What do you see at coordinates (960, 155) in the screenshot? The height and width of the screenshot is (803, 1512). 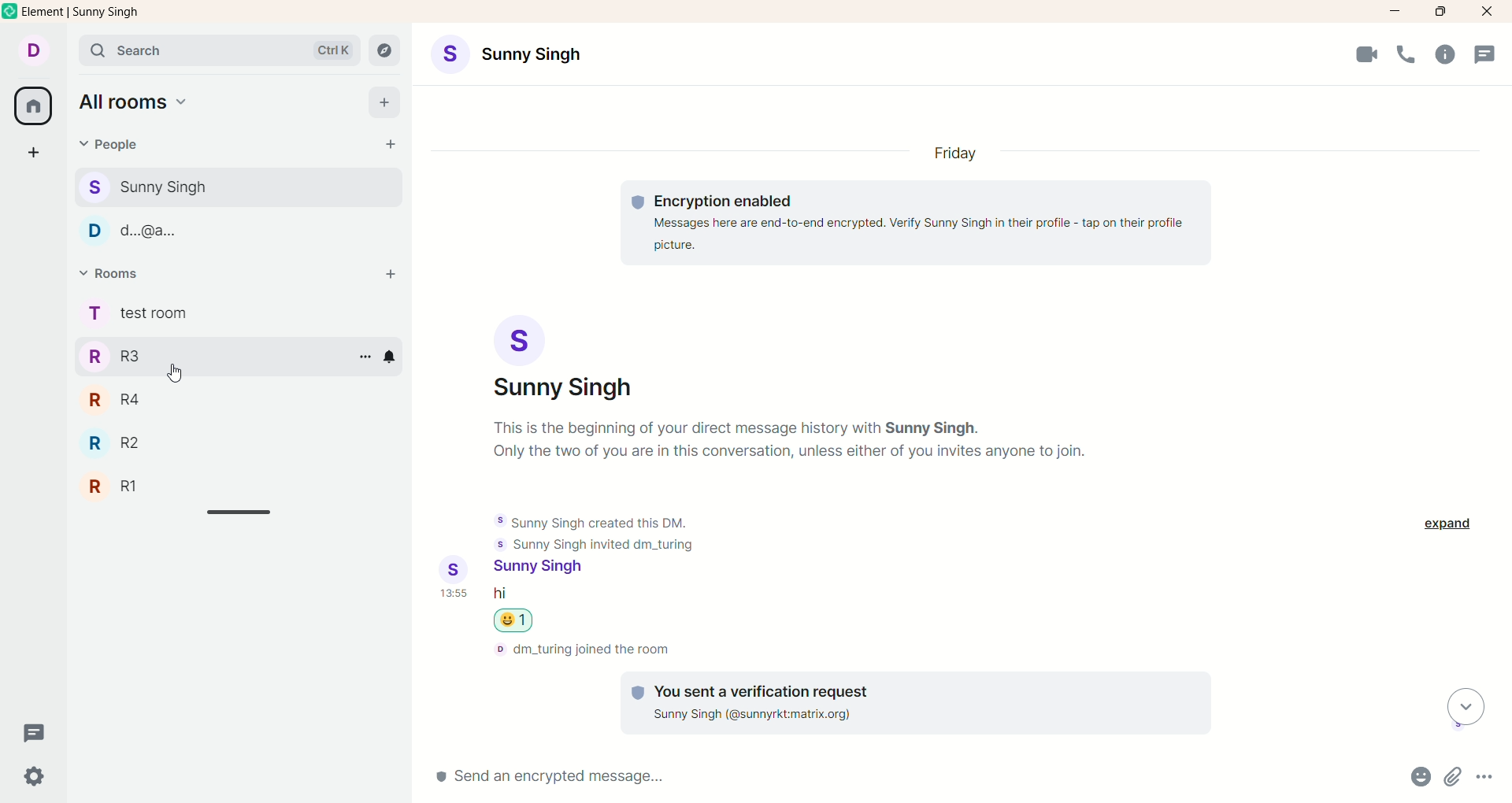 I see `day` at bounding box center [960, 155].